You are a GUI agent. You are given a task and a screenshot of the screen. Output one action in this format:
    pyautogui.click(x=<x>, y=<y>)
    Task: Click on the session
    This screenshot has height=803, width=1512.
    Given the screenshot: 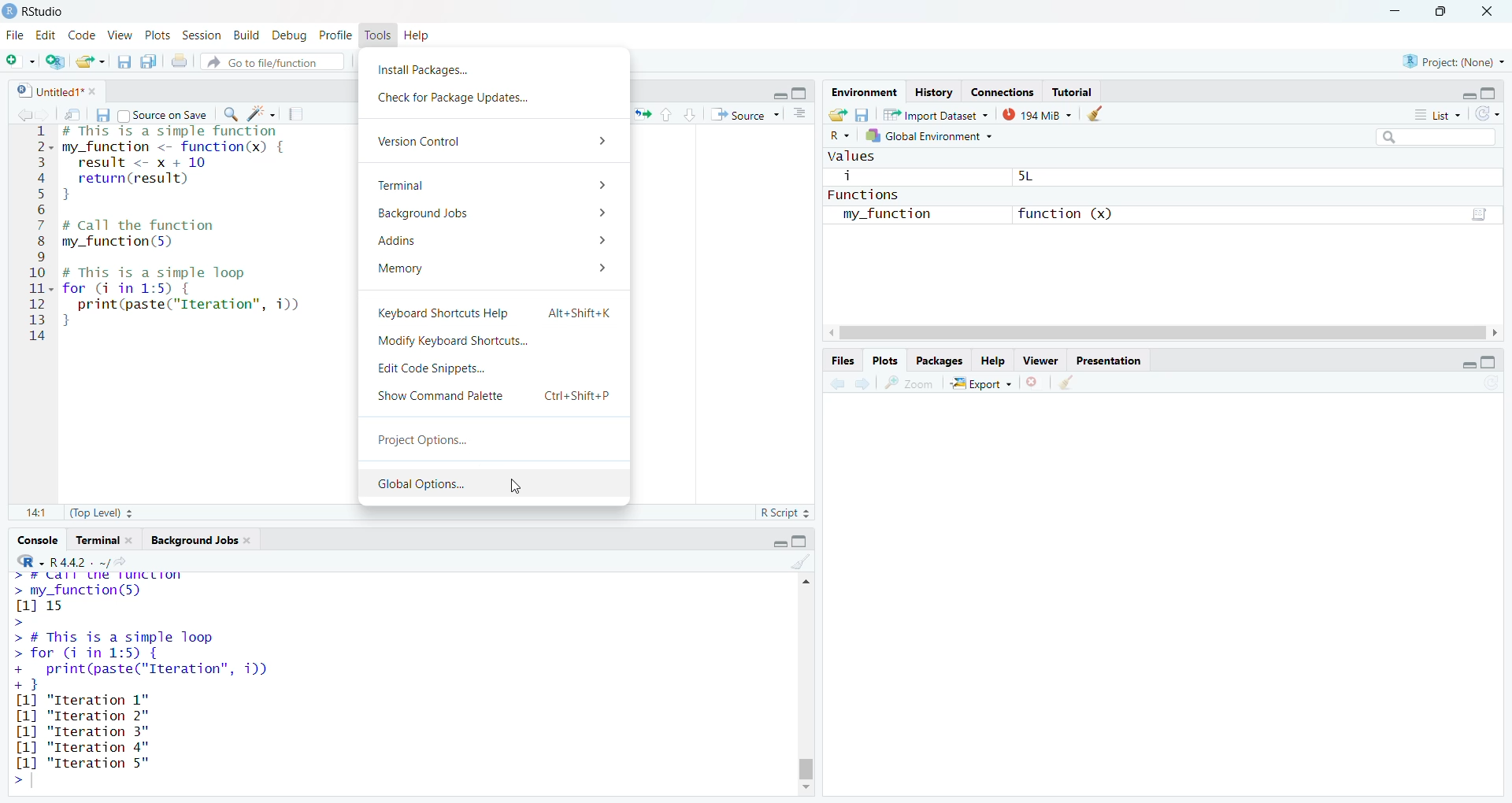 What is the action you would take?
    pyautogui.click(x=200, y=33)
    